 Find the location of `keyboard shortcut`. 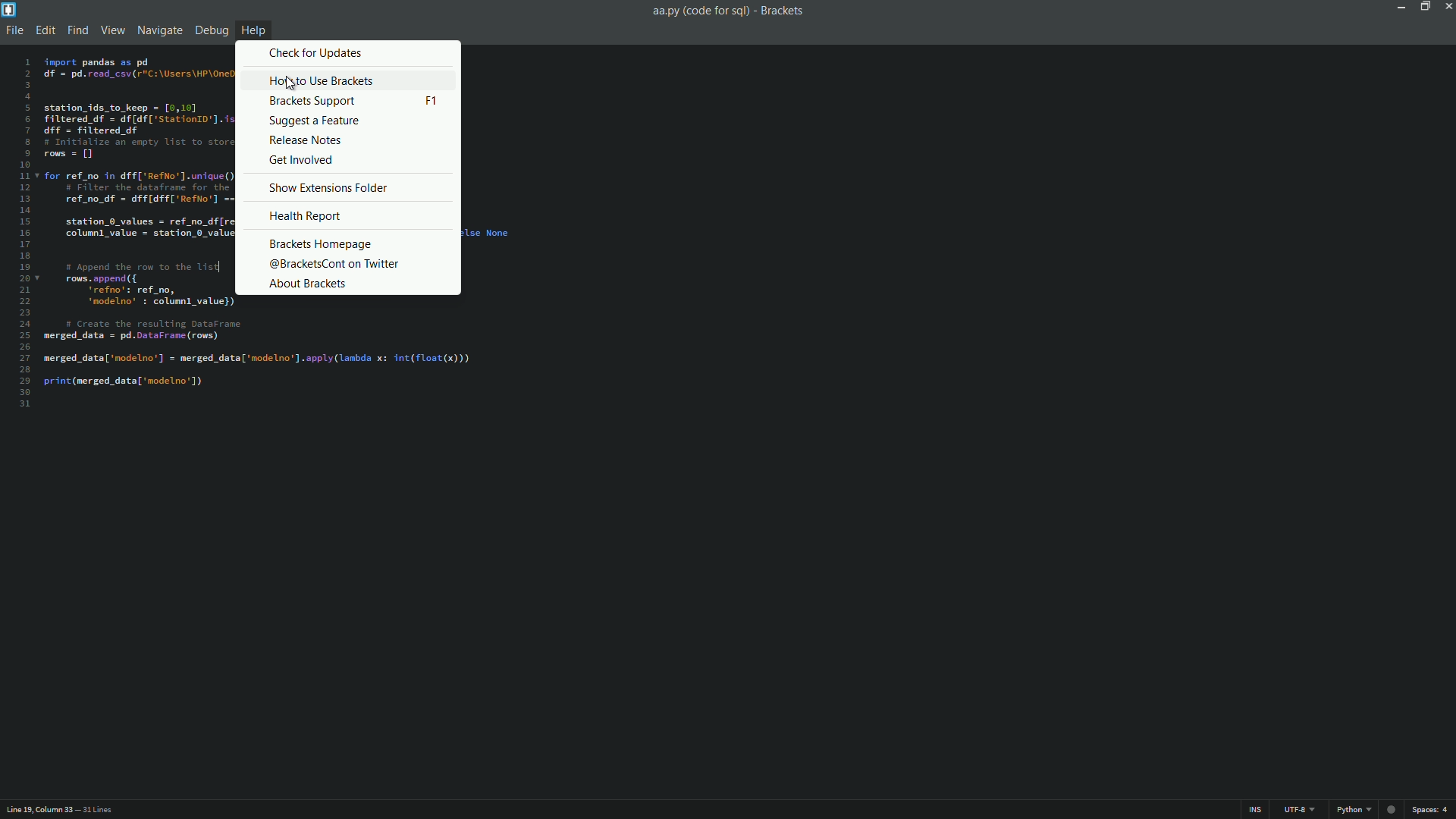

keyboard shortcut is located at coordinates (431, 96).